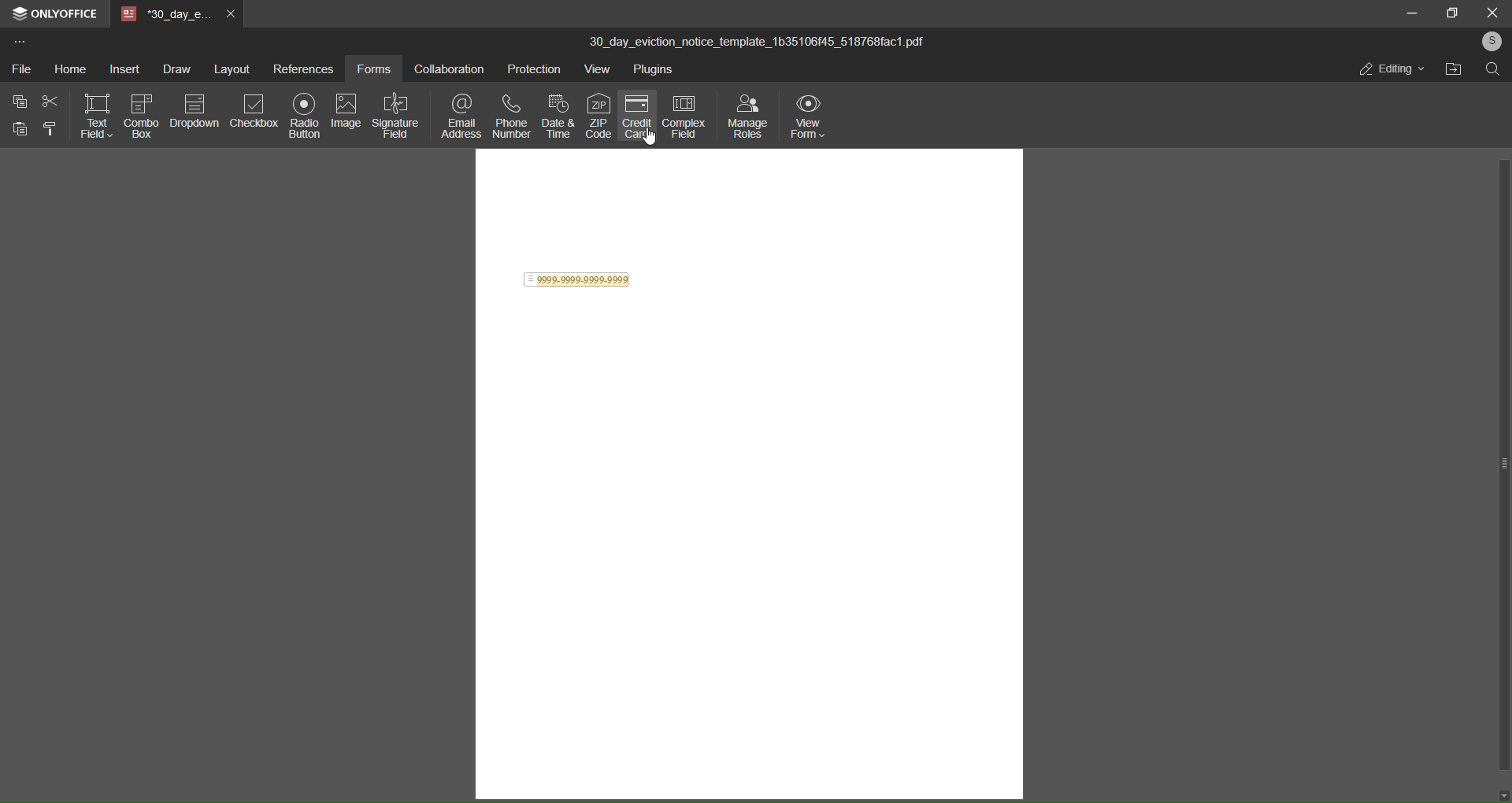  I want to click on up, so click(1502, 90).